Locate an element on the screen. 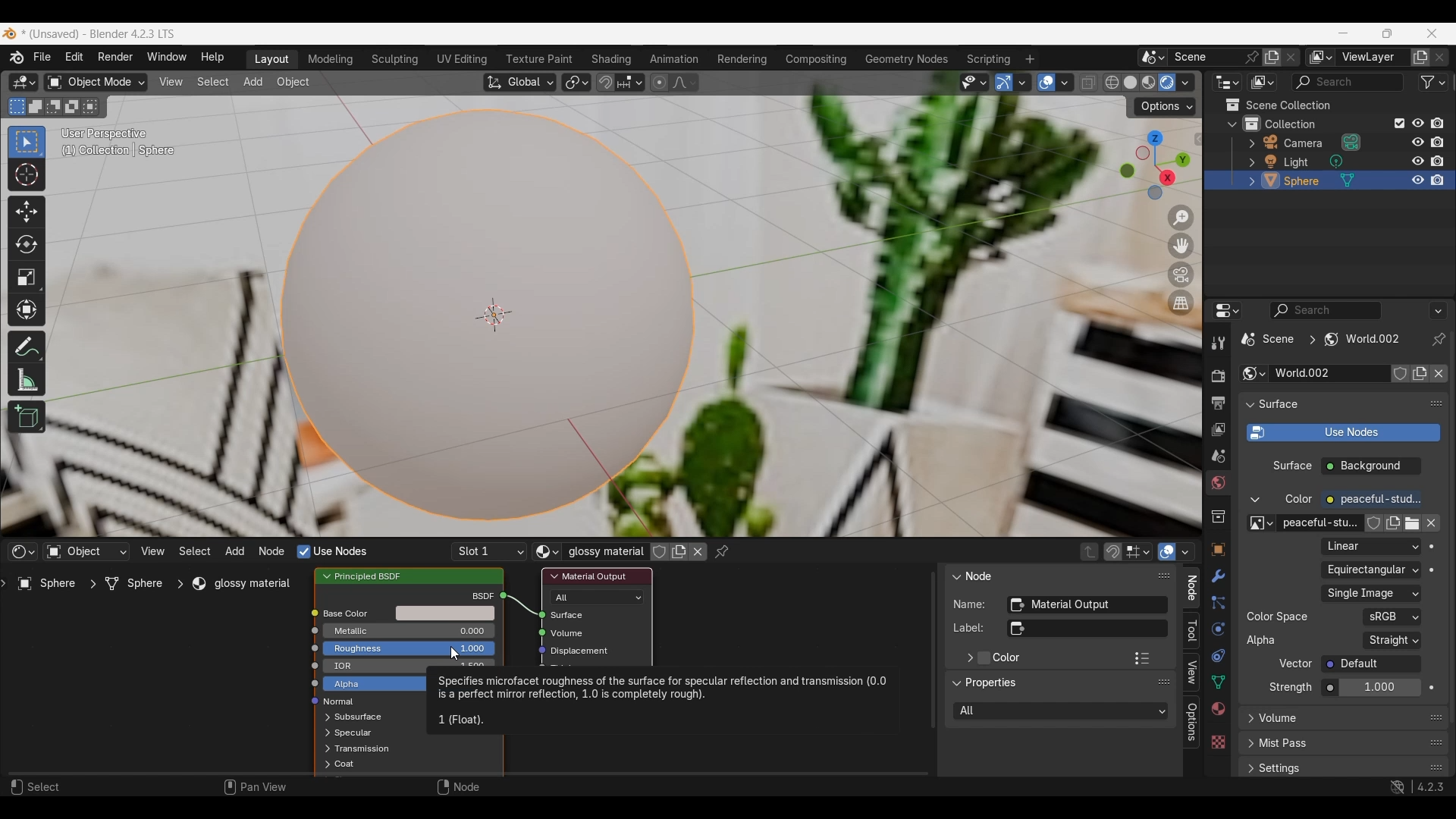 The height and width of the screenshot is (819, 1456). Type of data to take shader from is located at coordinates (86, 551).